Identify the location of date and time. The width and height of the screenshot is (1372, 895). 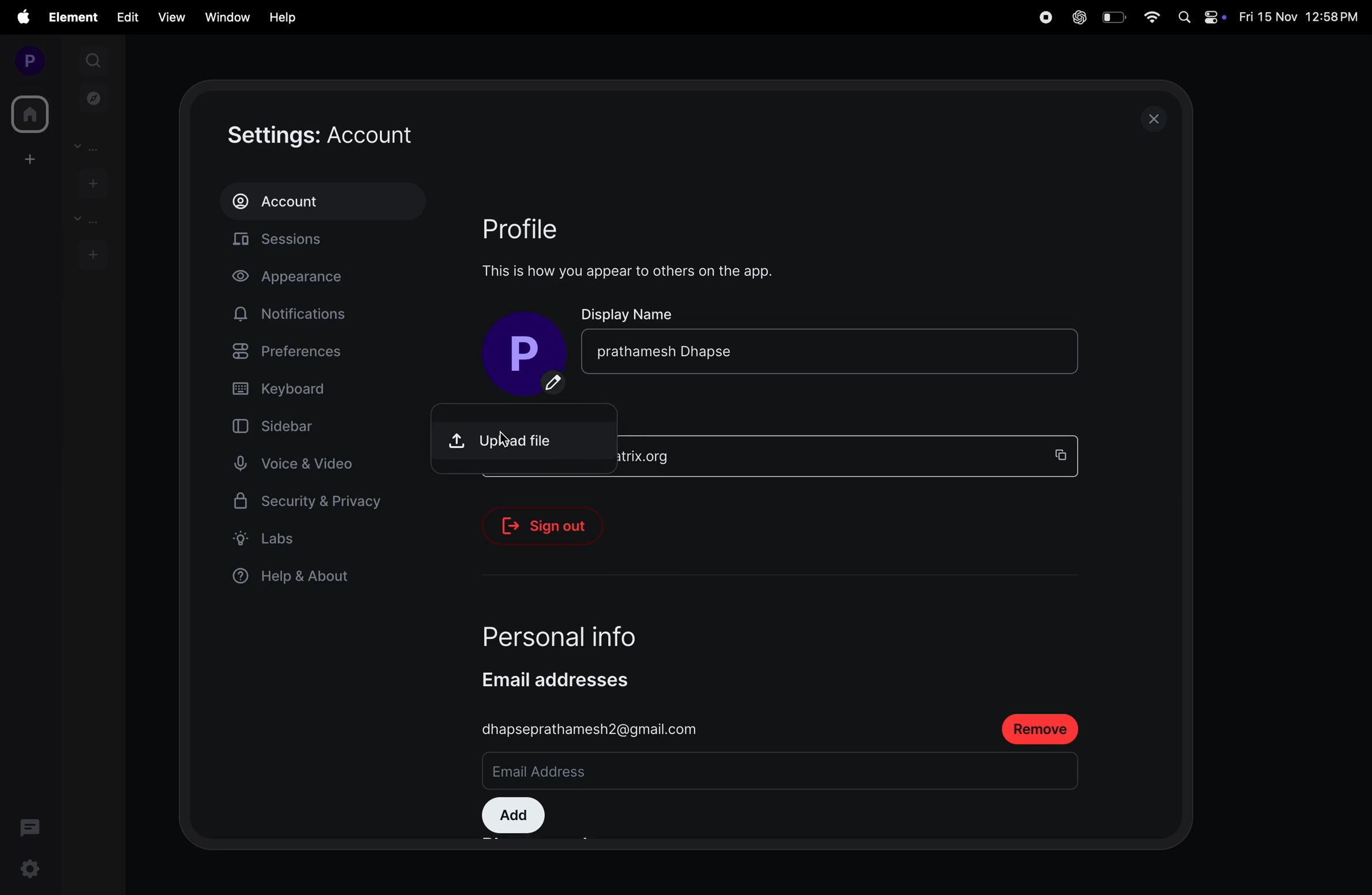
(1301, 18).